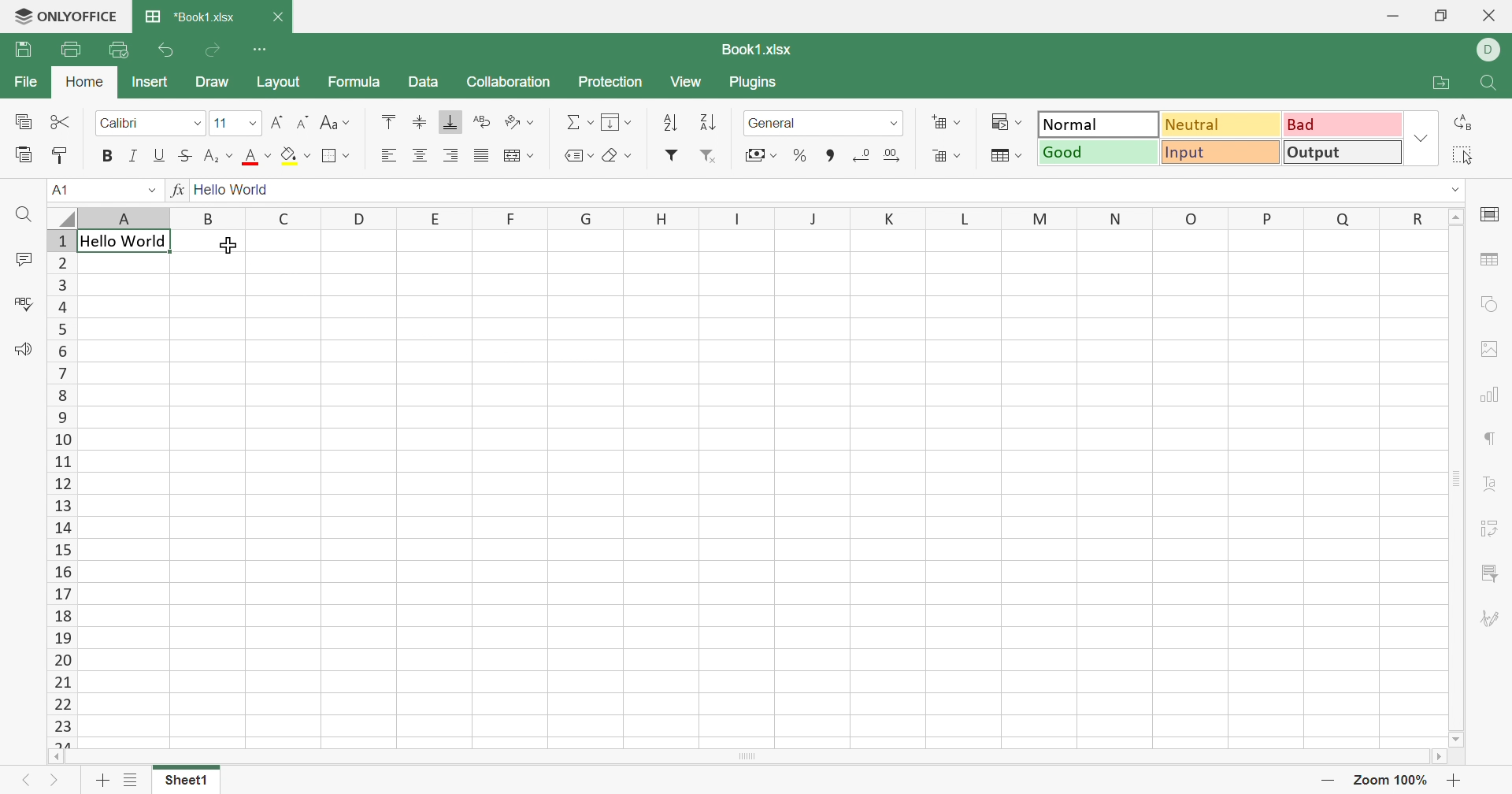 The height and width of the screenshot is (794, 1512). I want to click on Hello World, so click(123, 240).